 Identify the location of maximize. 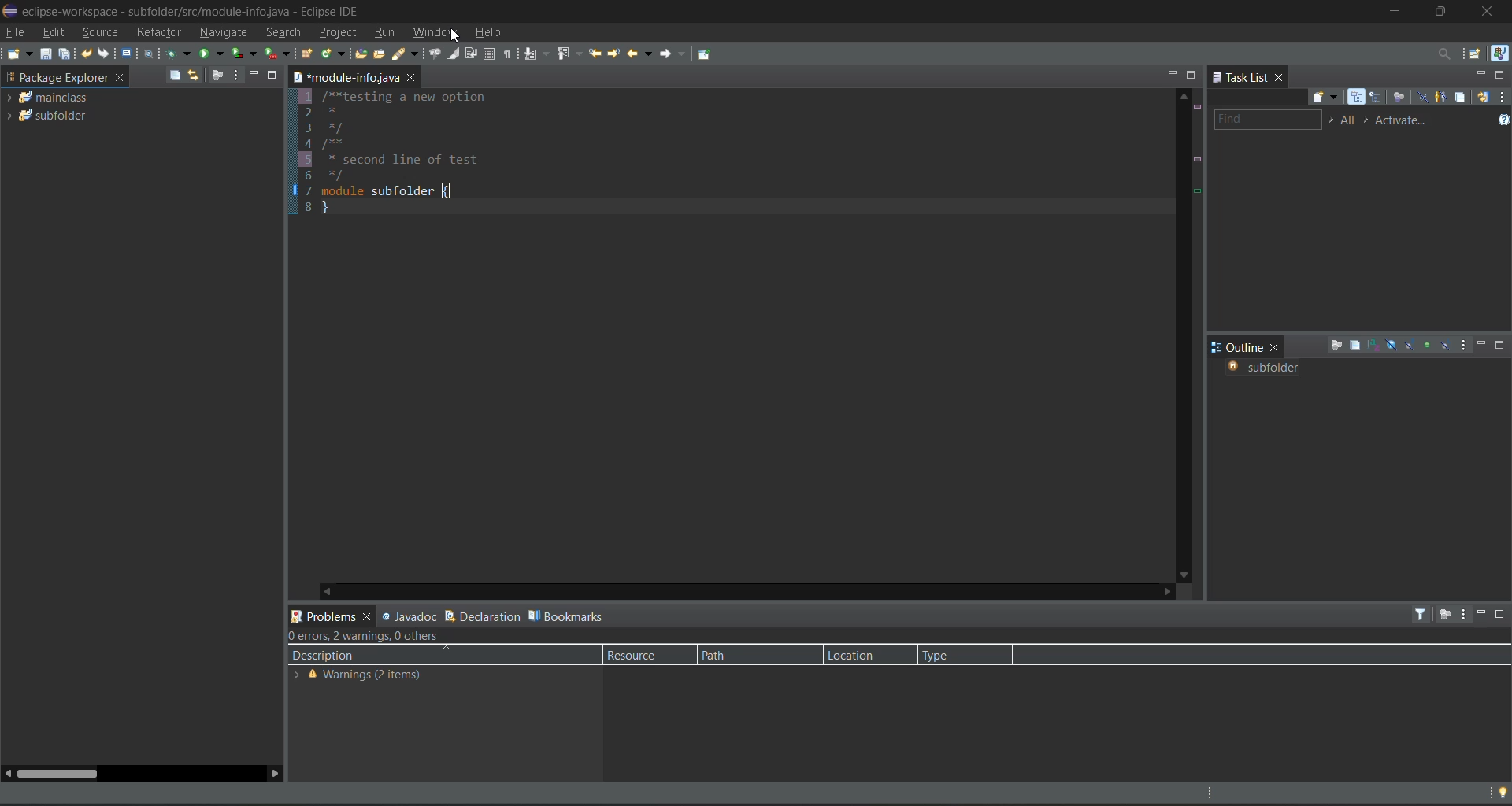
(1503, 346).